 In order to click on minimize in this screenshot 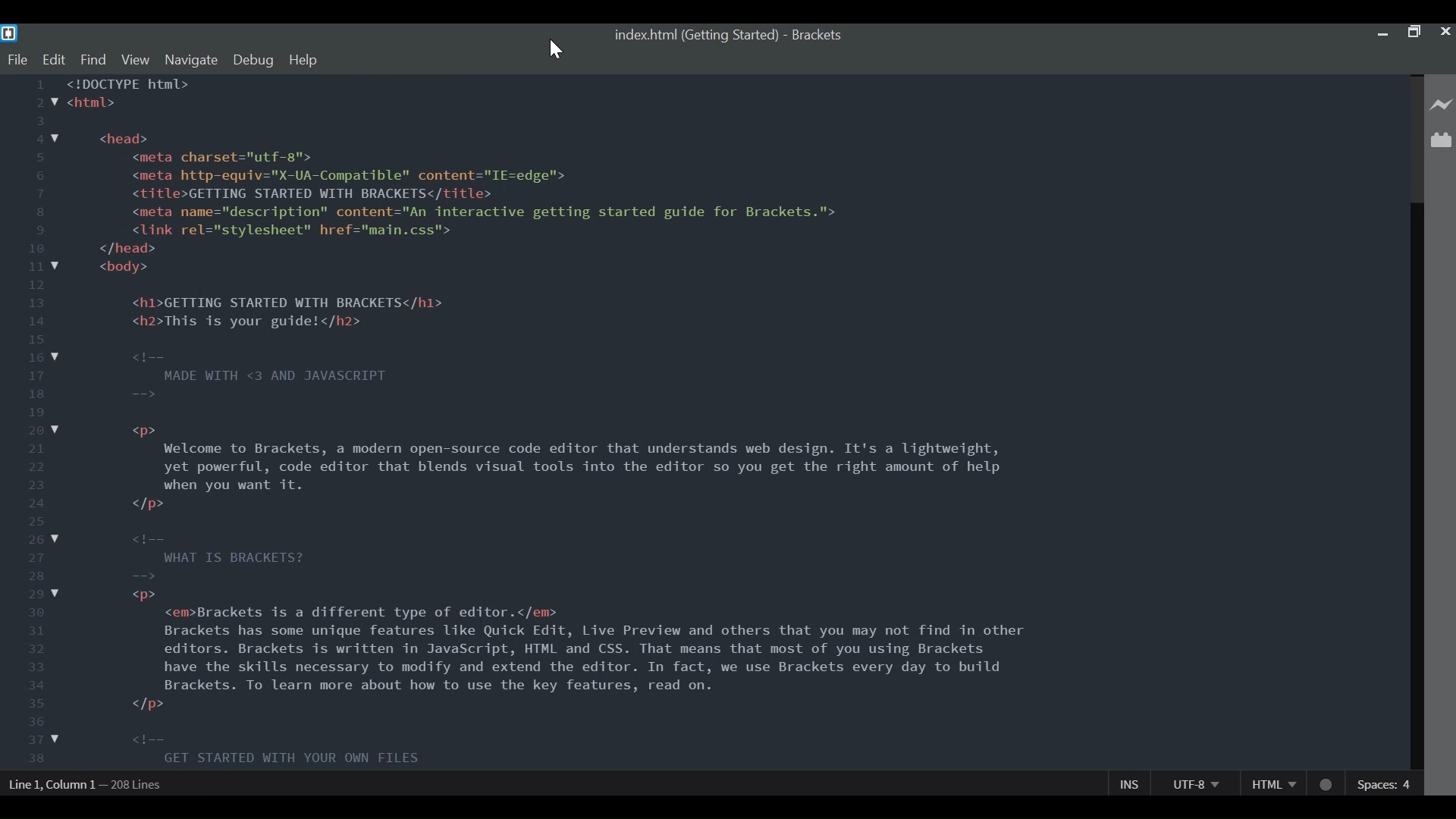, I will do `click(1385, 32)`.